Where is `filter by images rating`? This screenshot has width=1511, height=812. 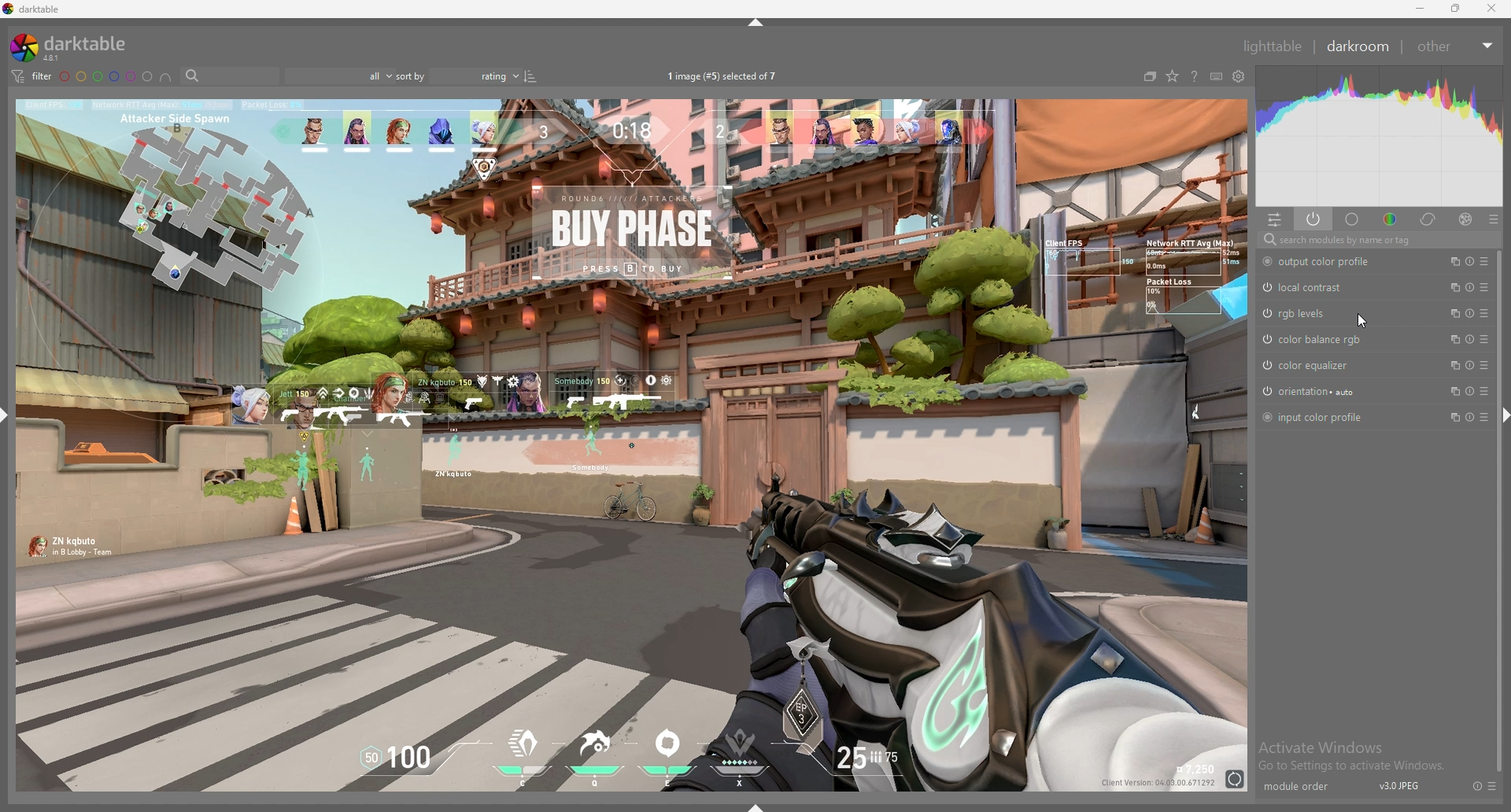
filter by images rating is located at coordinates (338, 76).